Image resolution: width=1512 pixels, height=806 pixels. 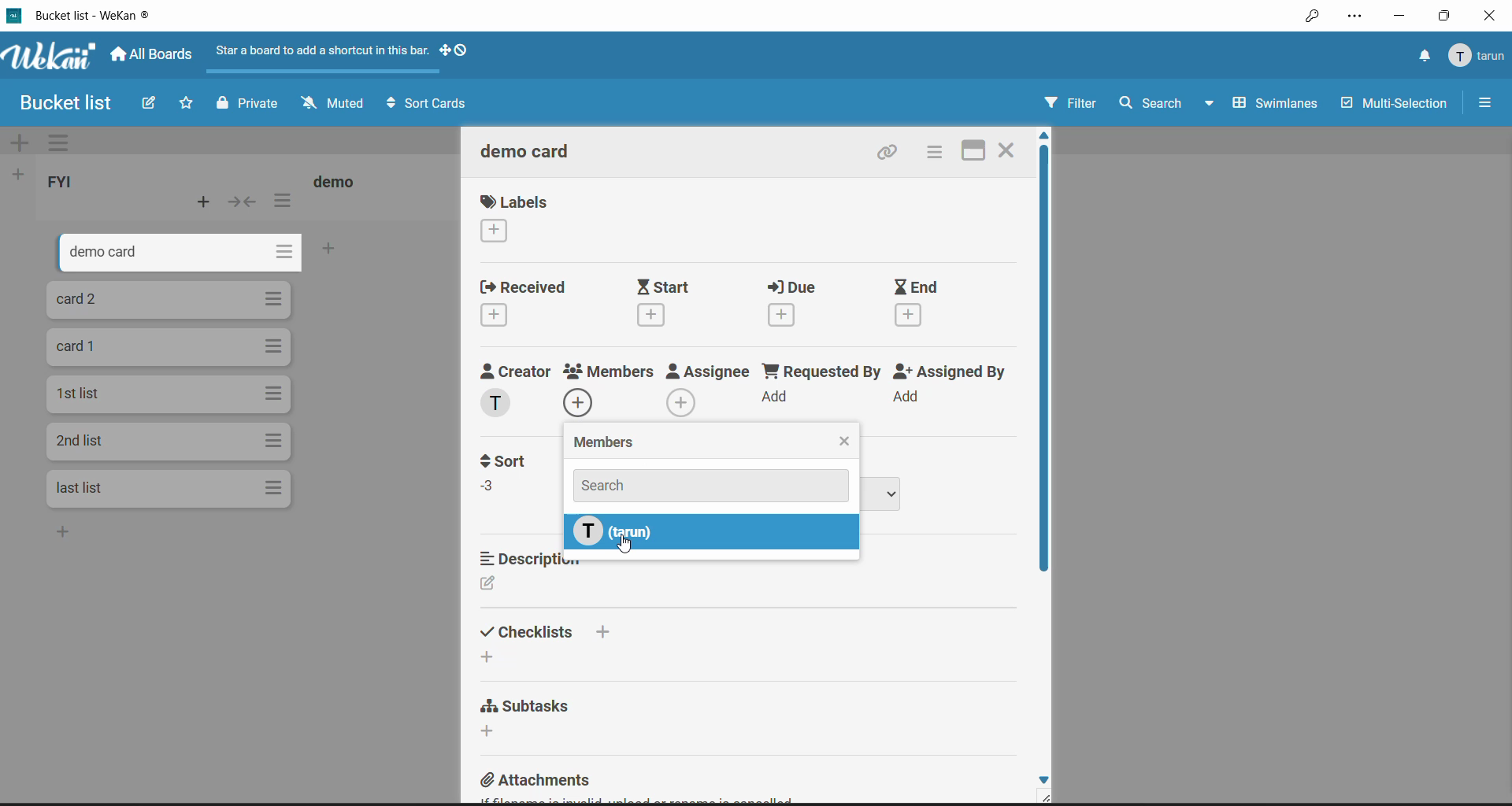 I want to click on add swimlane, so click(x=22, y=141).